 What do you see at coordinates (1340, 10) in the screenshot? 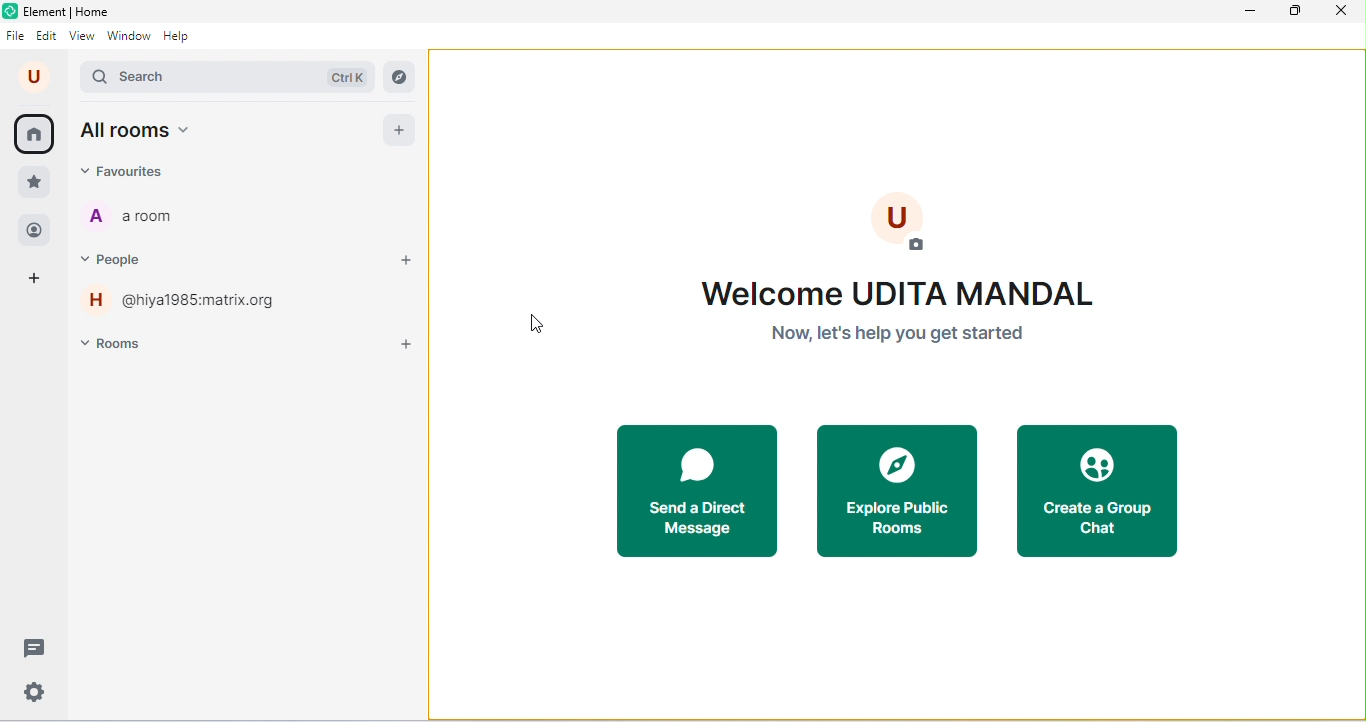
I see `close` at bounding box center [1340, 10].